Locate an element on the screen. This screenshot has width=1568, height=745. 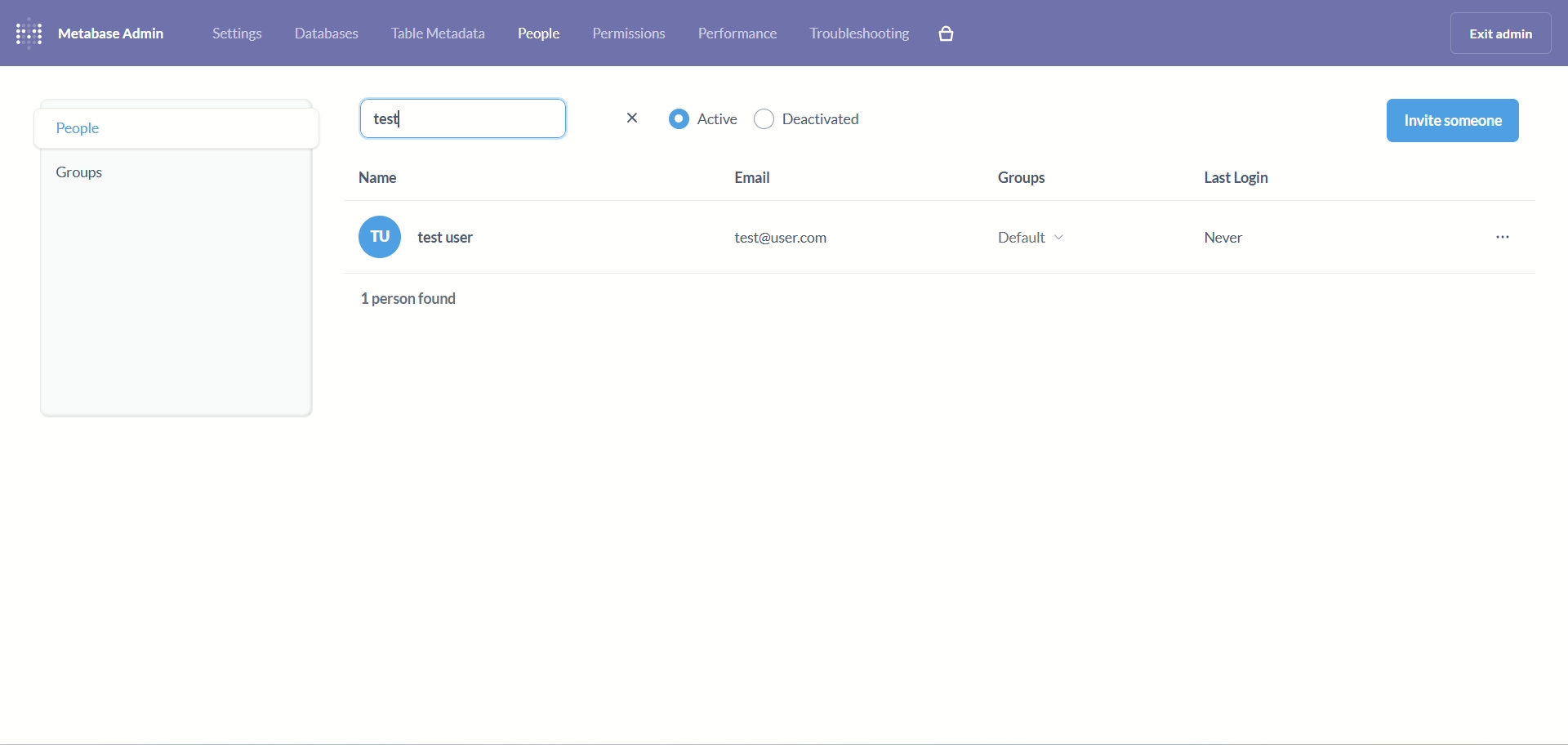
exit admin is located at coordinates (1498, 33).